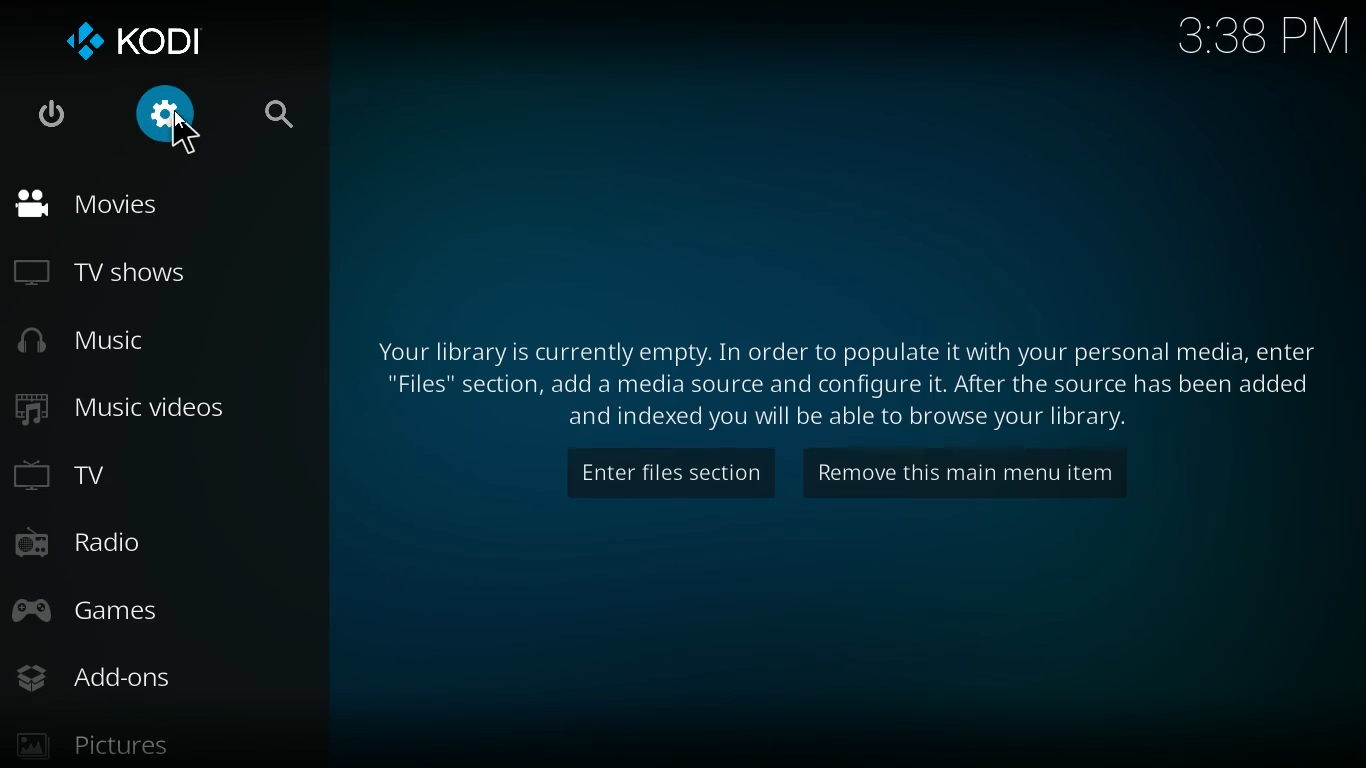  Describe the element at coordinates (52, 117) in the screenshot. I see `turn off` at that location.